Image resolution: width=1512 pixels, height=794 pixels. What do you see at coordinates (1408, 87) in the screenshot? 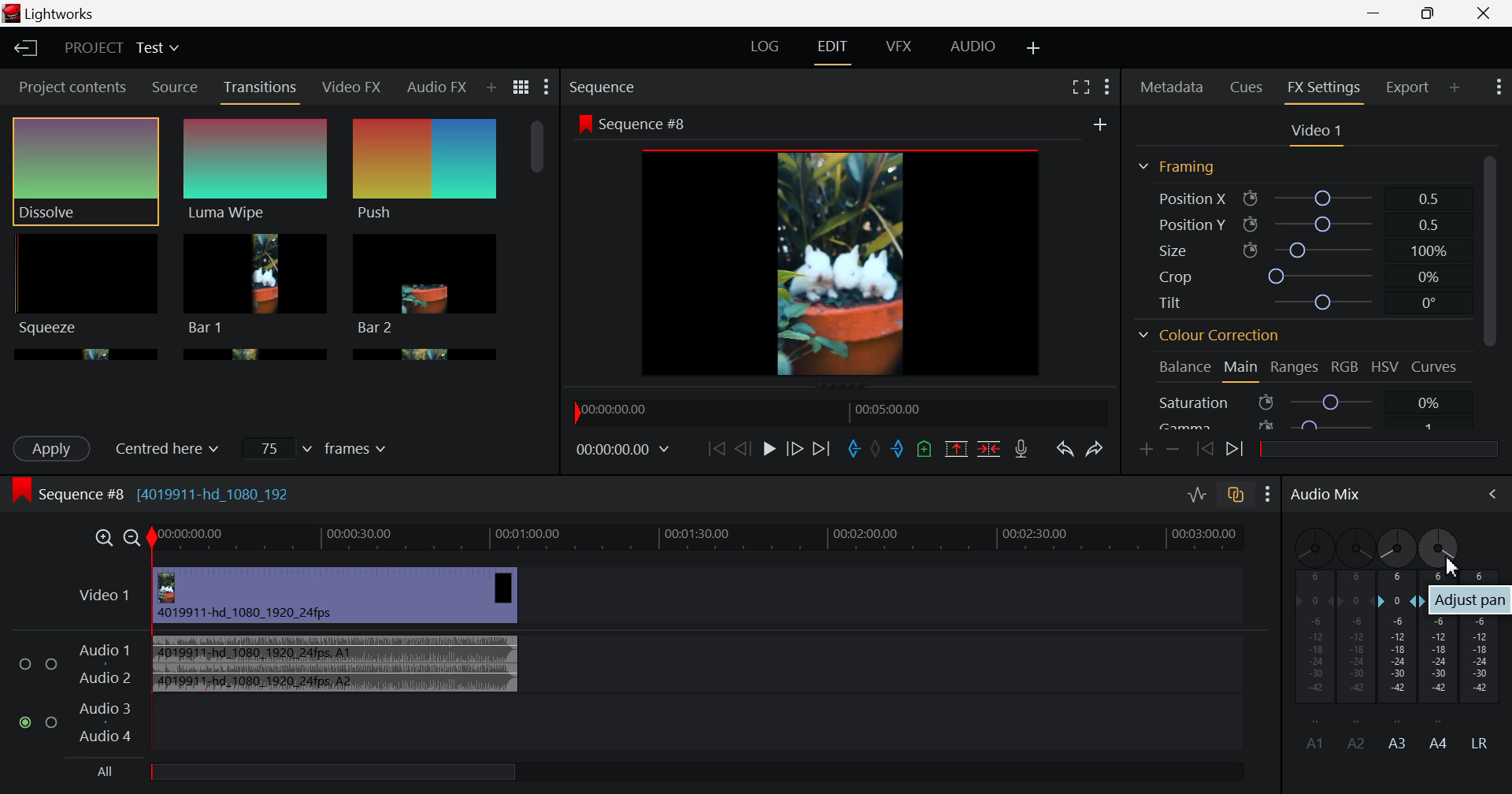
I see `Export` at bounding box center [1408, 87].